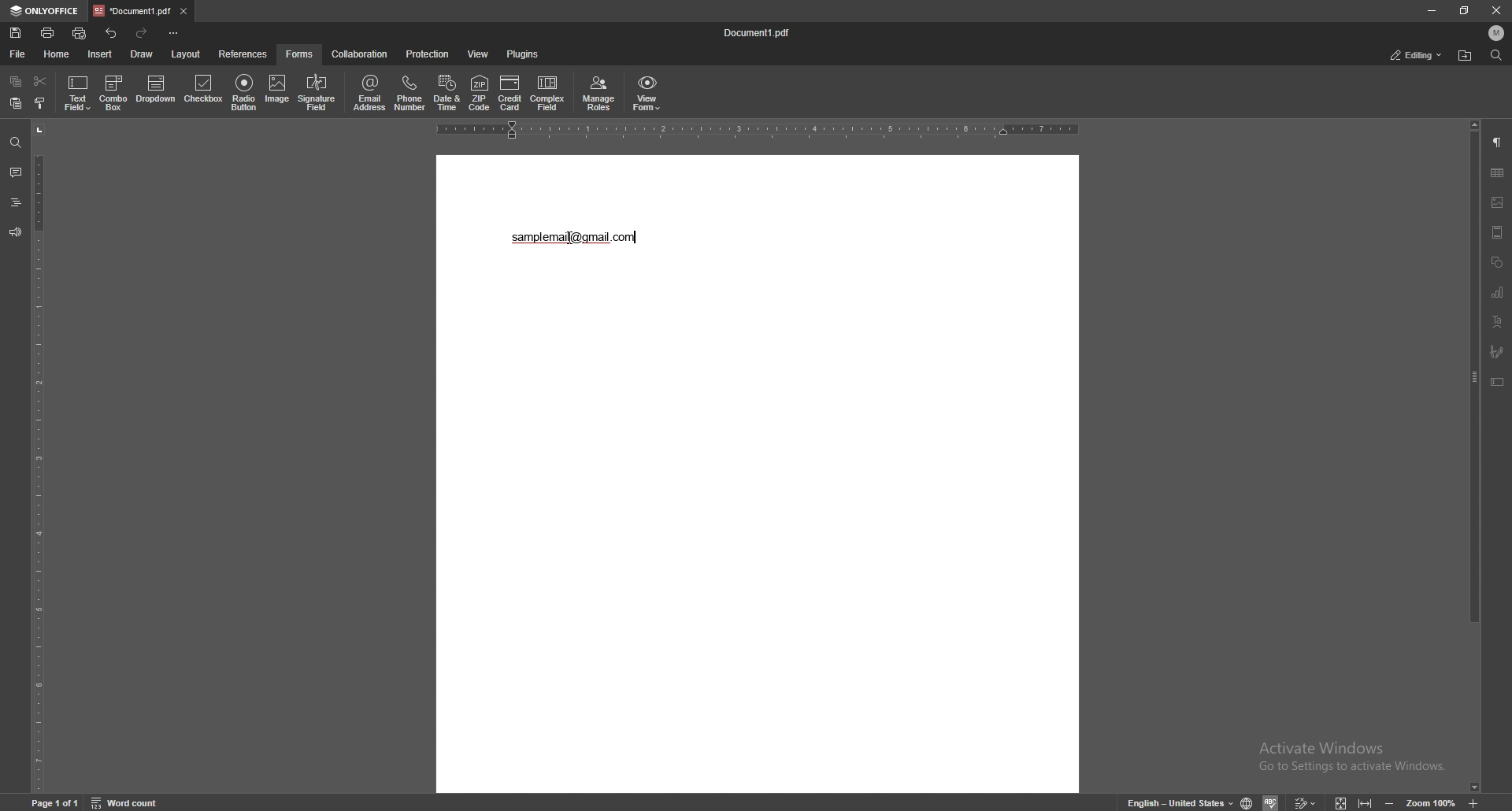 This screenshot has width=1512, height=811. Describe the element at coordinates (510, 93) in the screenshot. I see `credit card` at that location.